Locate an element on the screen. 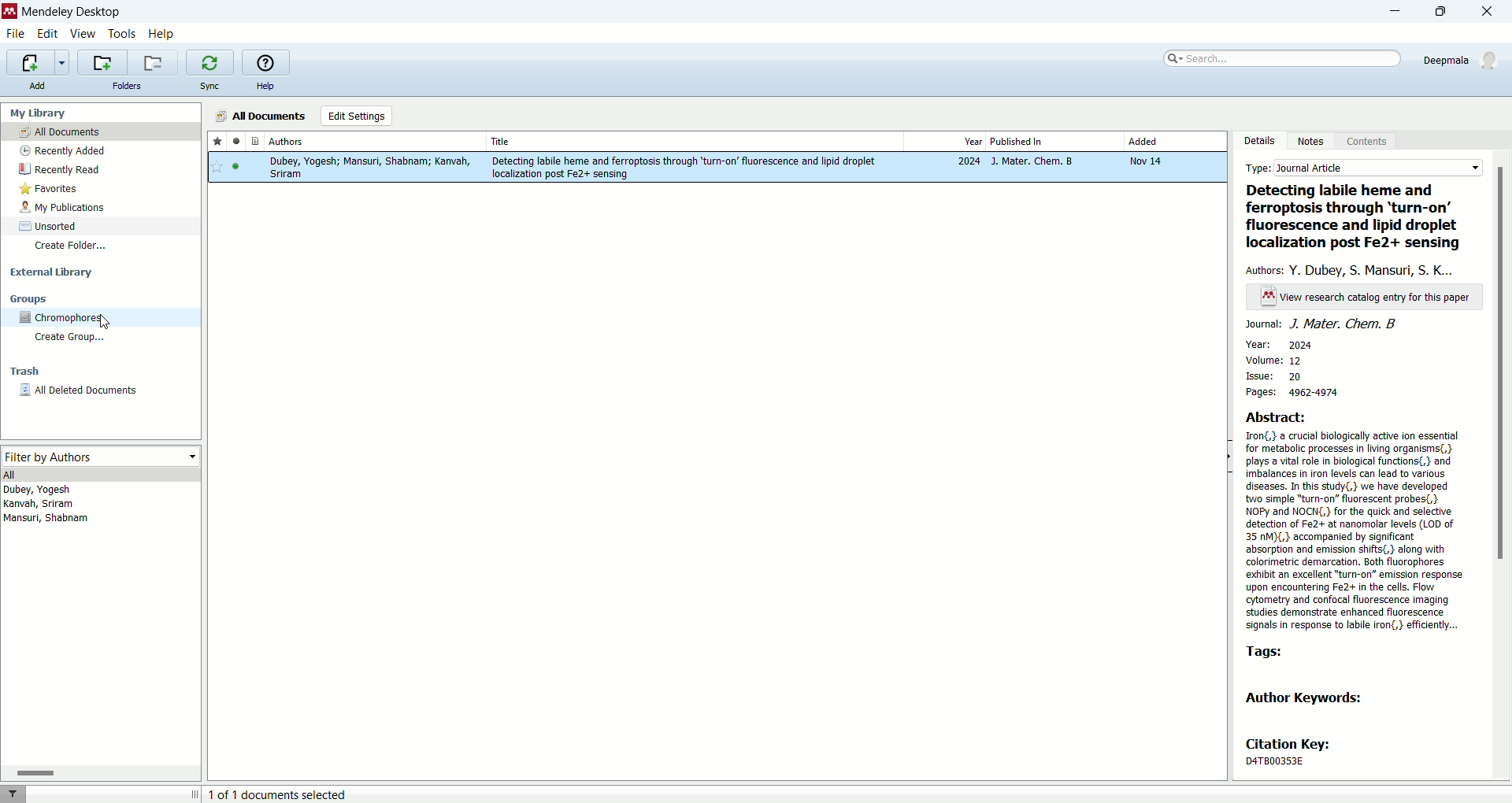 The image size is (1512, 803). folders is located at coordinates (125, 86).